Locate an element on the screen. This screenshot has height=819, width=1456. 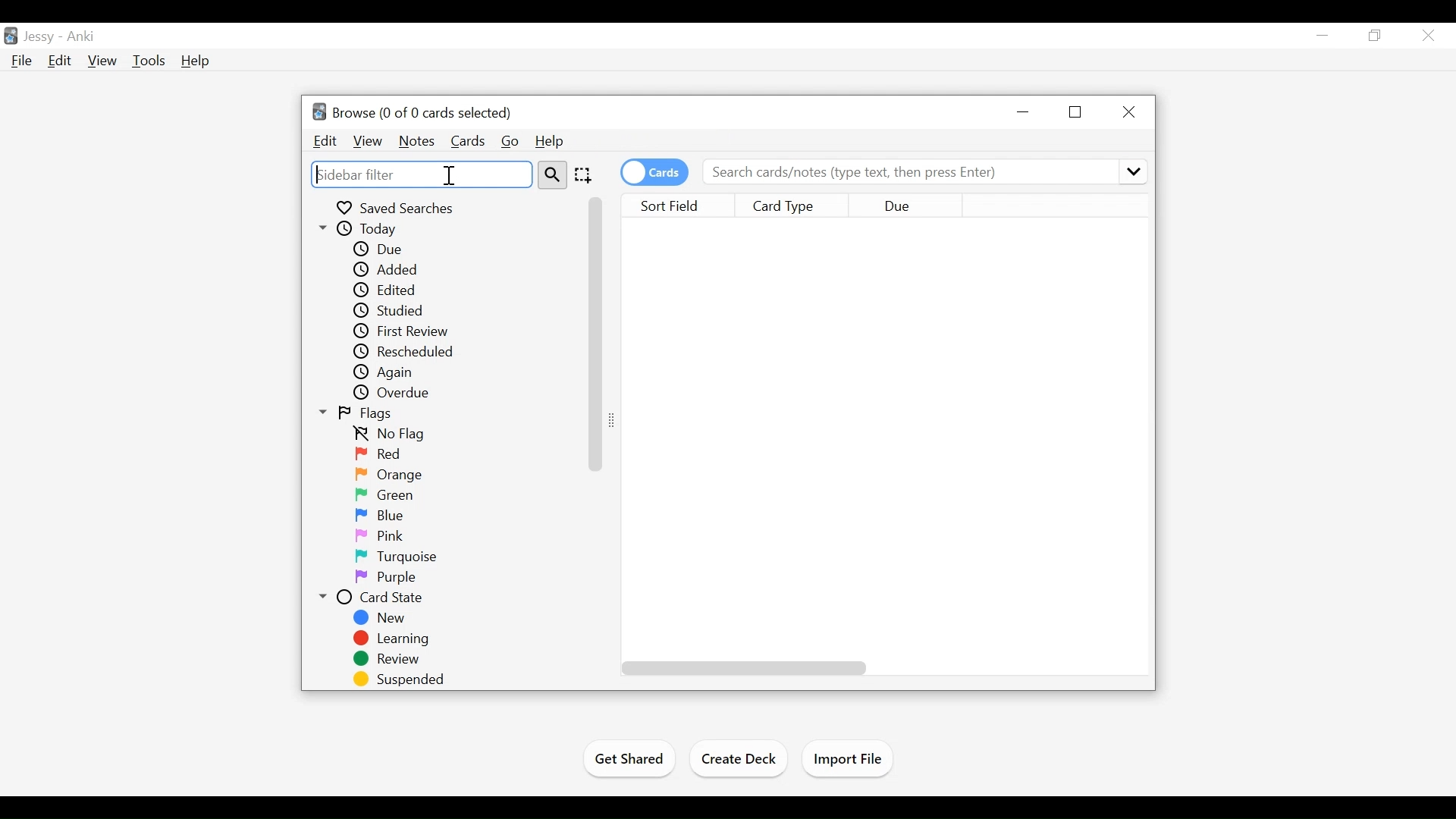
Green is located at coordinates (390, 497).